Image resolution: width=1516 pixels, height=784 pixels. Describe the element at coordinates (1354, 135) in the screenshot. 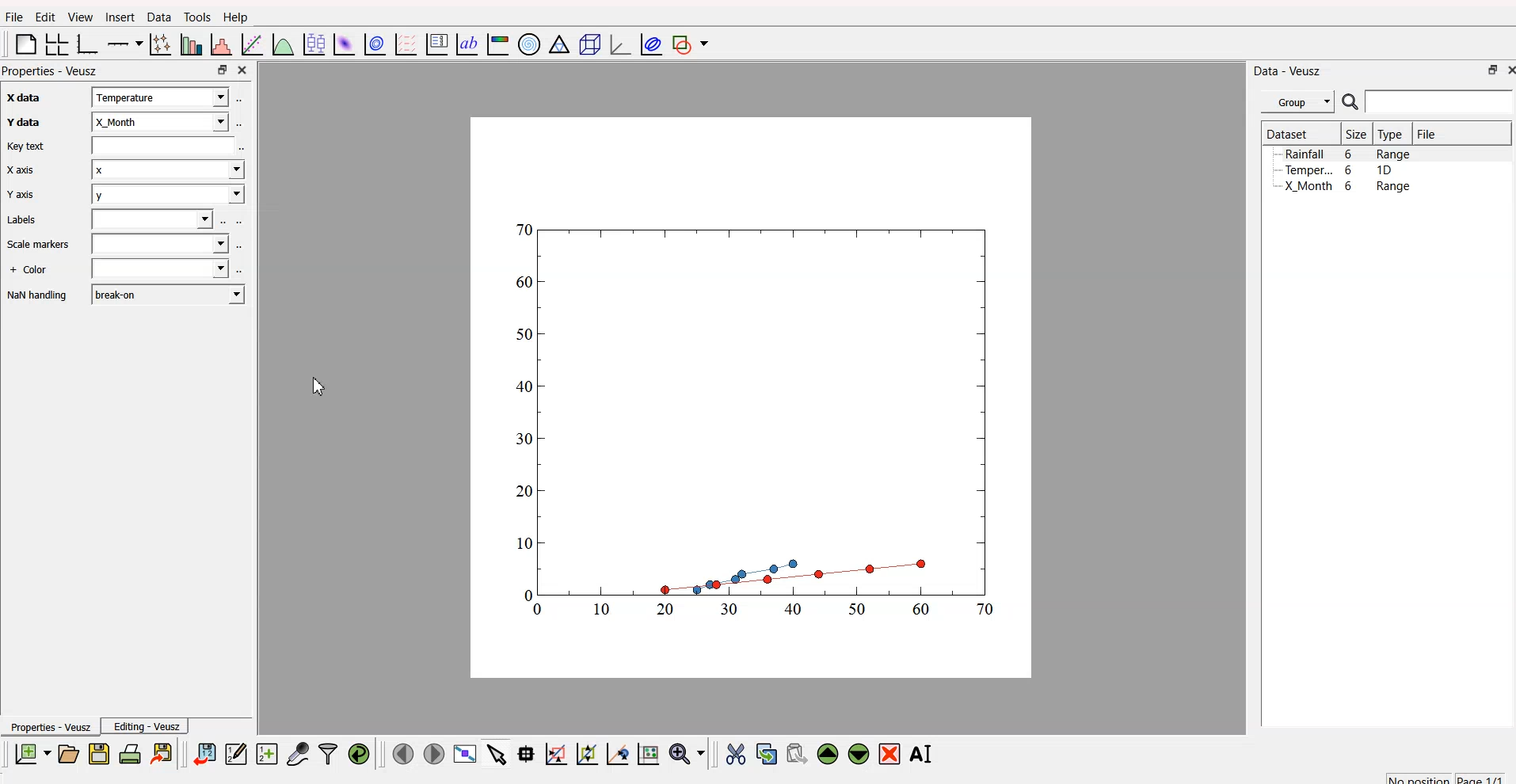

I see `| Size` at that location.